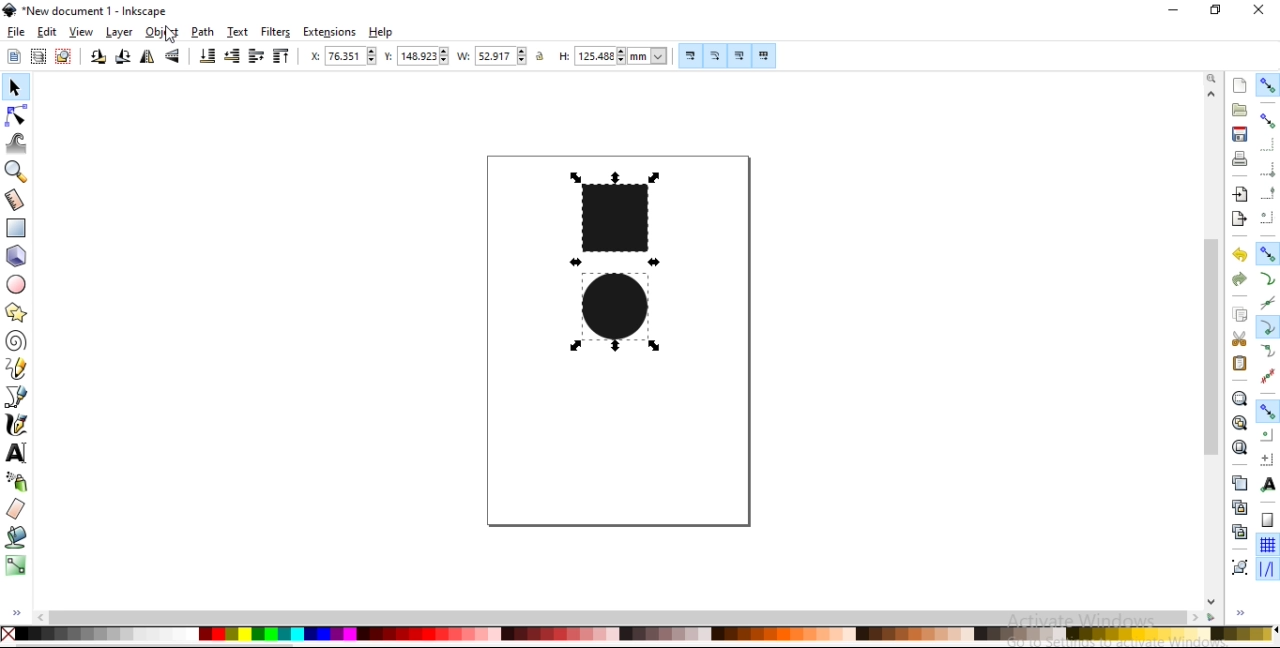 This screenshot has height=648, width=1280. What do you see at coordinates (1241, 85) in the screenshot?
I see `create a new document` at bounding box center [1241, 85].